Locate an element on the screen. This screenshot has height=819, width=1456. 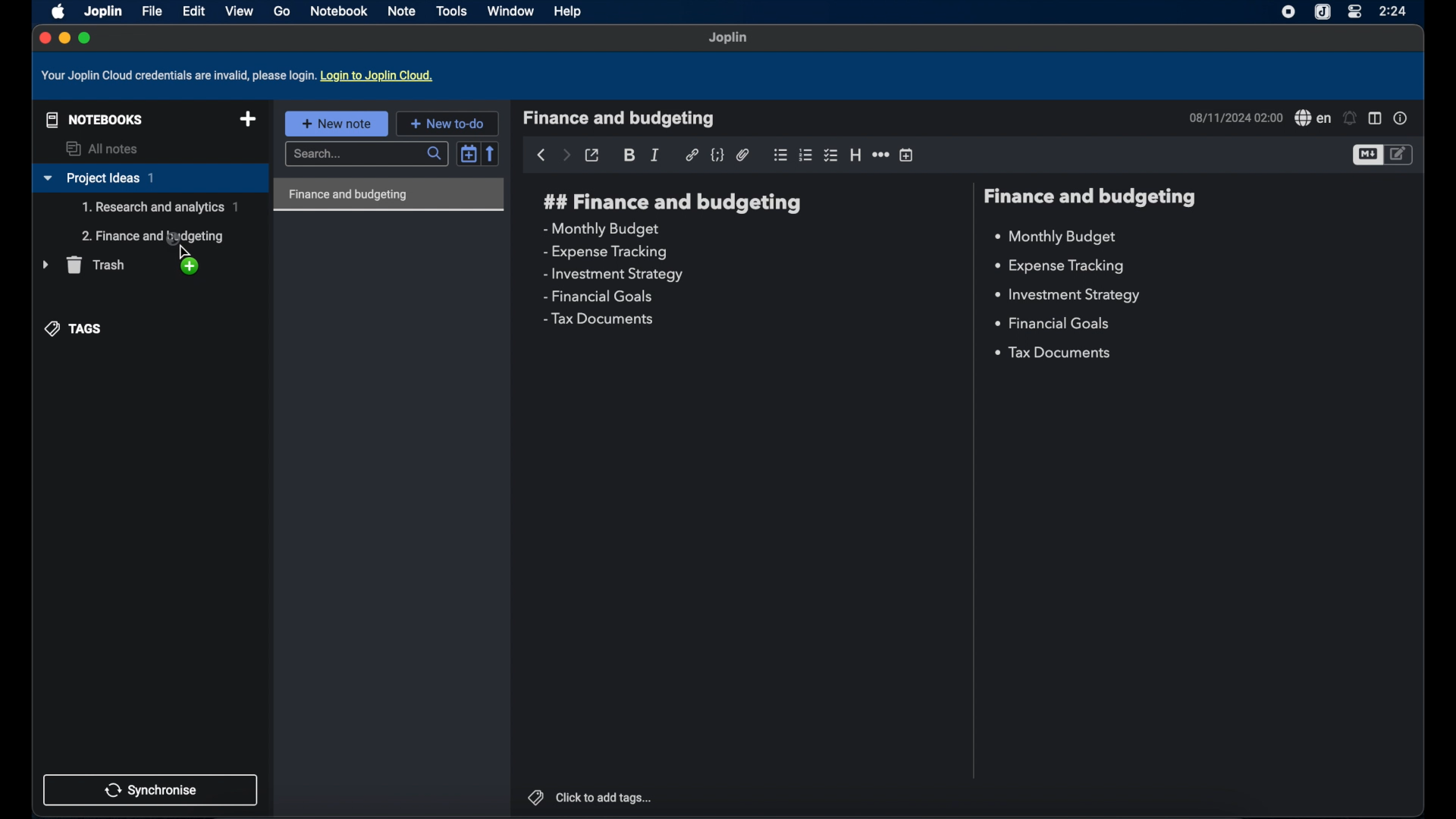
toggle external editing is located at coordinates (593, 155).